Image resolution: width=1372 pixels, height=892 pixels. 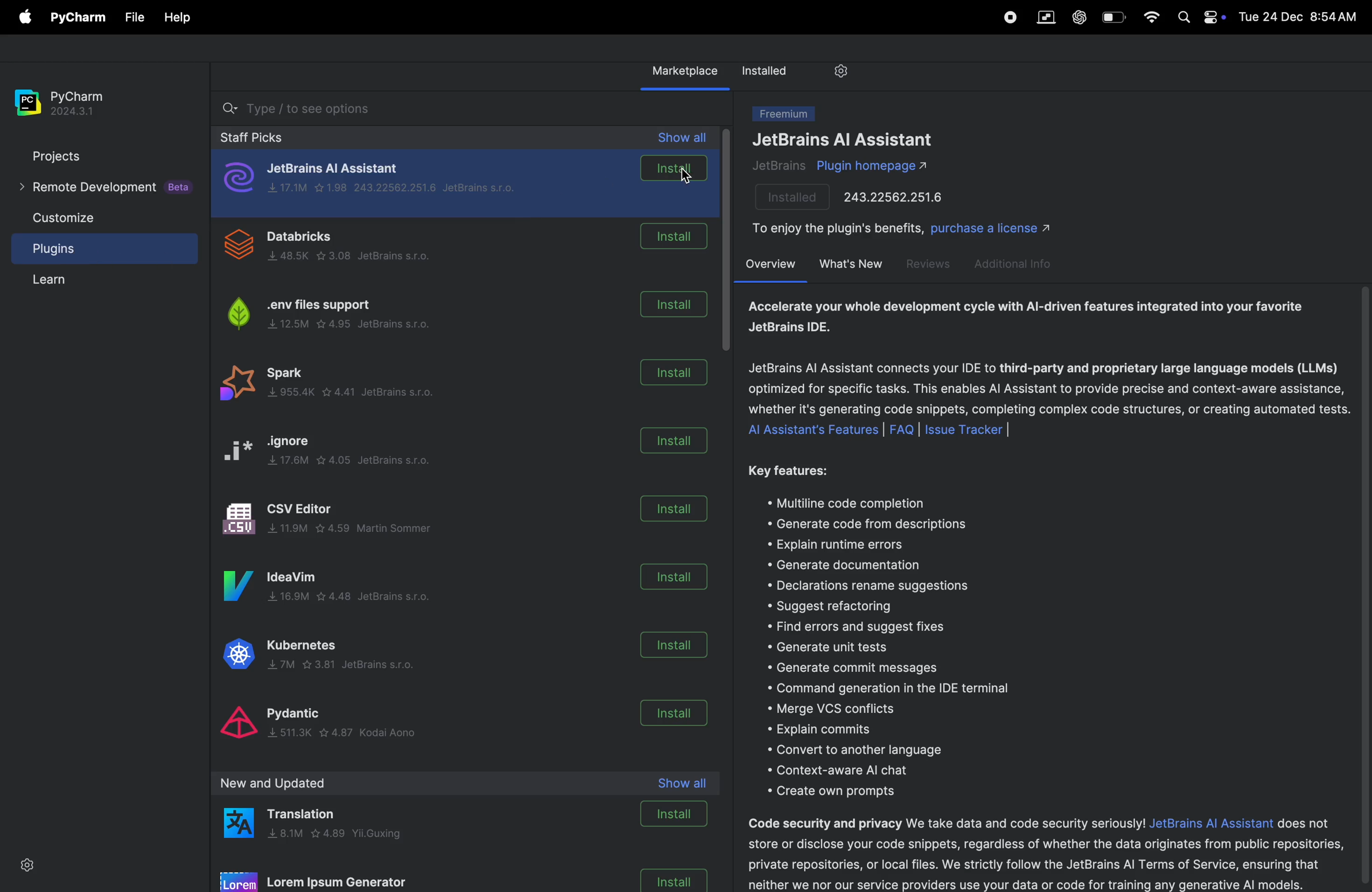 What do you see at coordinates (1148, 17) in the screenshot?
I see `wifi` at bounding box center [1148, 17].